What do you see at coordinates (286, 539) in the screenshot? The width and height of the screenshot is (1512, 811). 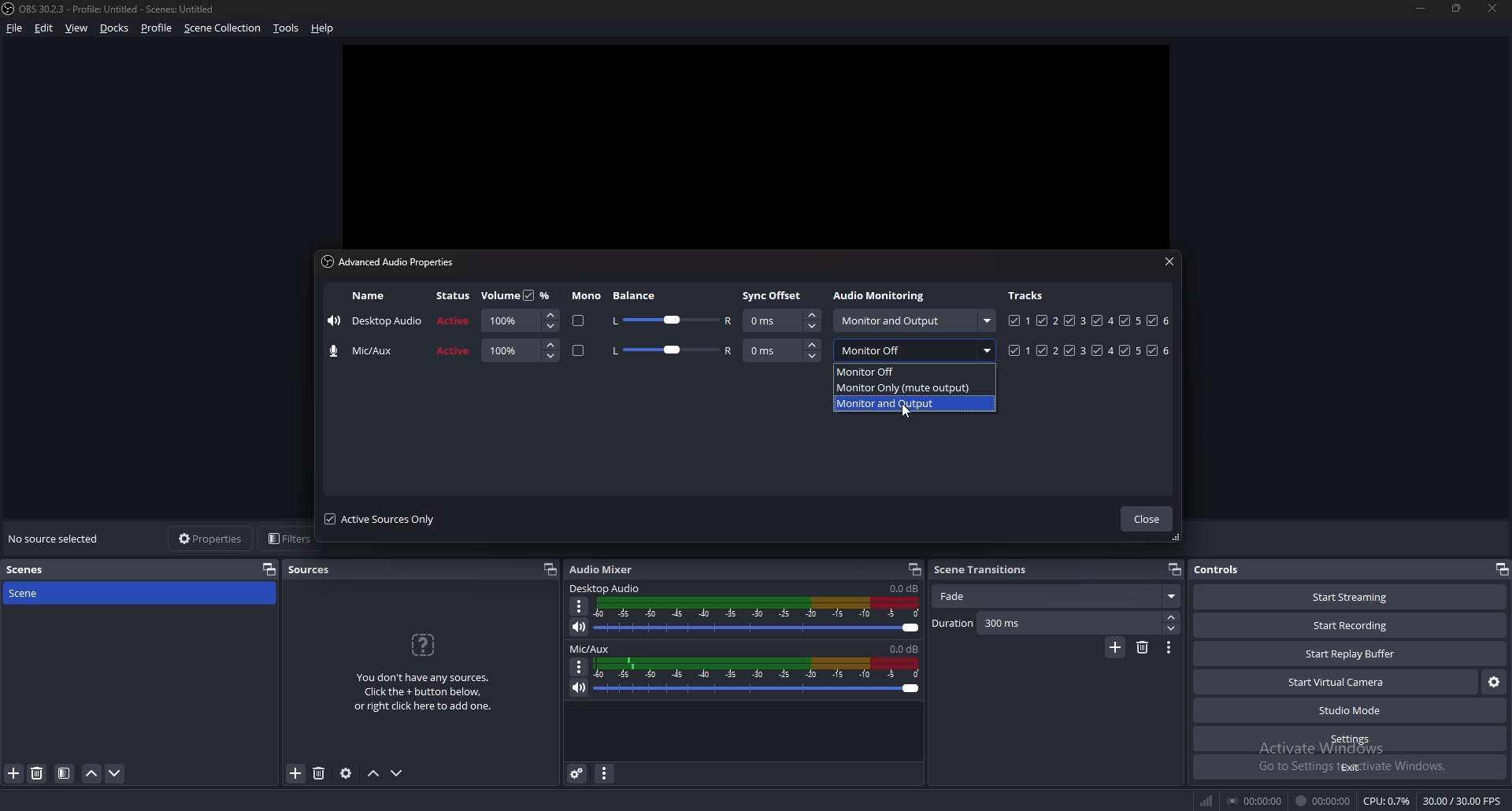 I see `filters` at bounding box center [286, 539].